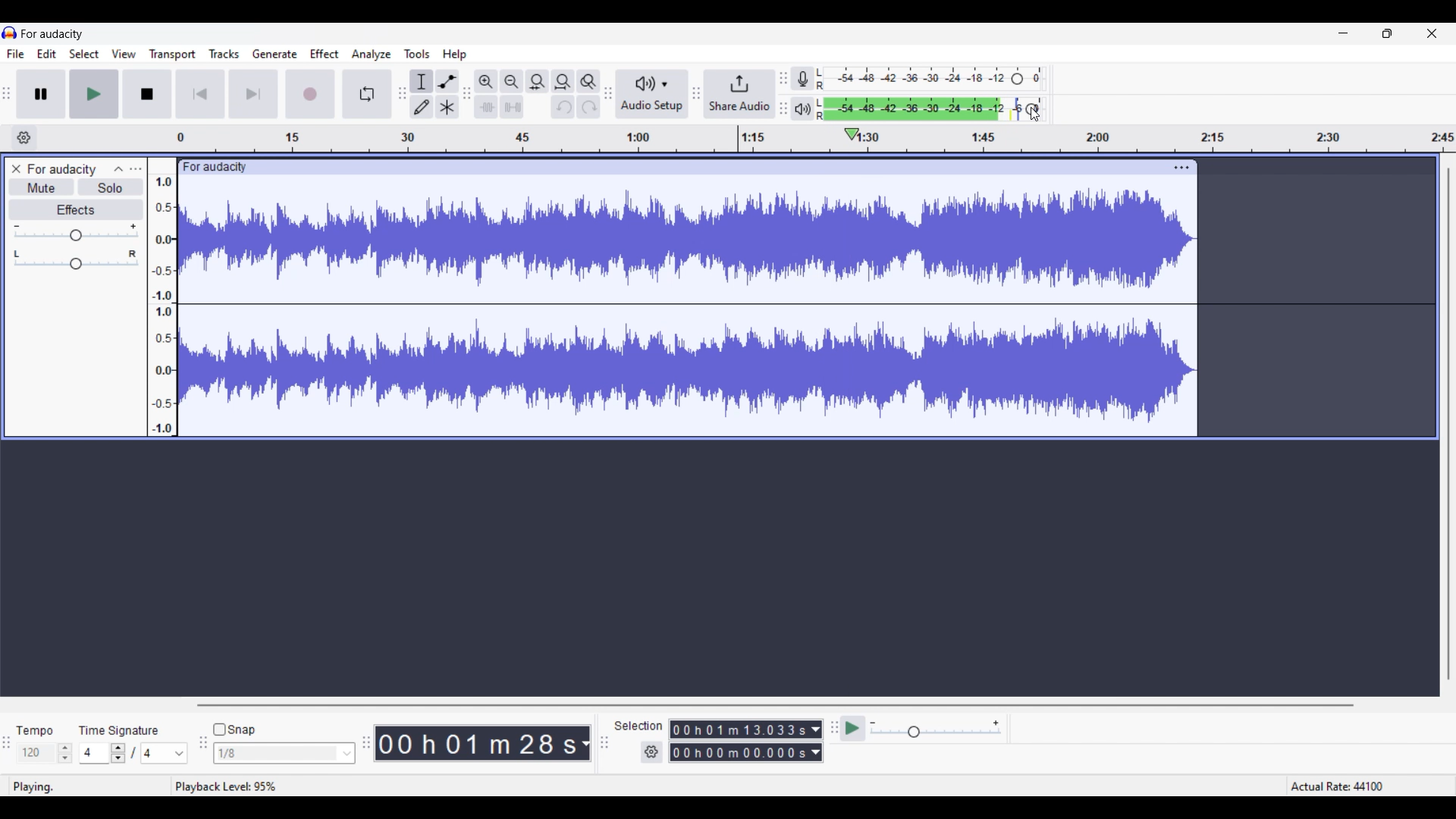  I want to click on Solo, so click(111, 187).